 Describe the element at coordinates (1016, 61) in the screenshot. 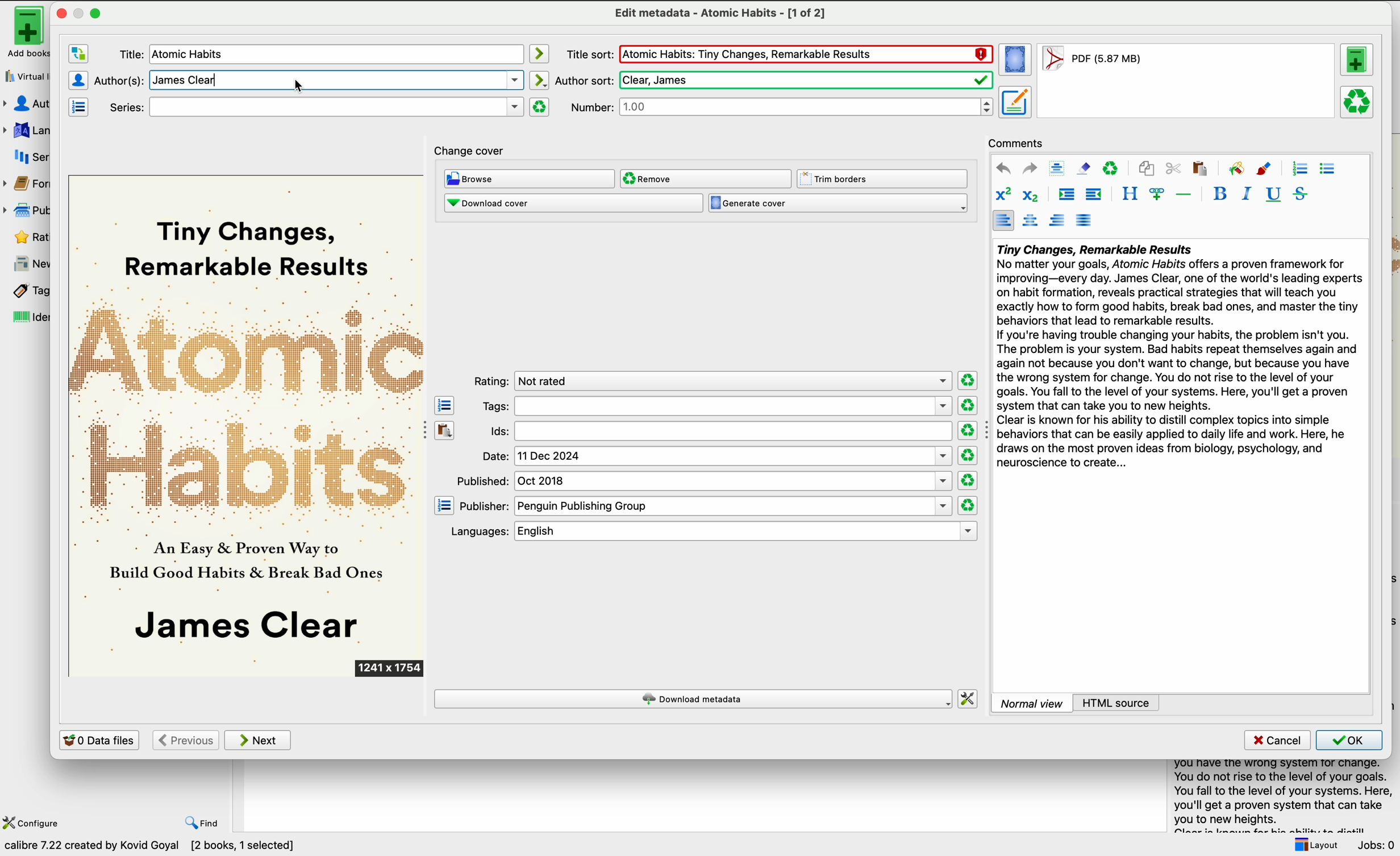

I see `set the cover for the book from the selected format` at that location.